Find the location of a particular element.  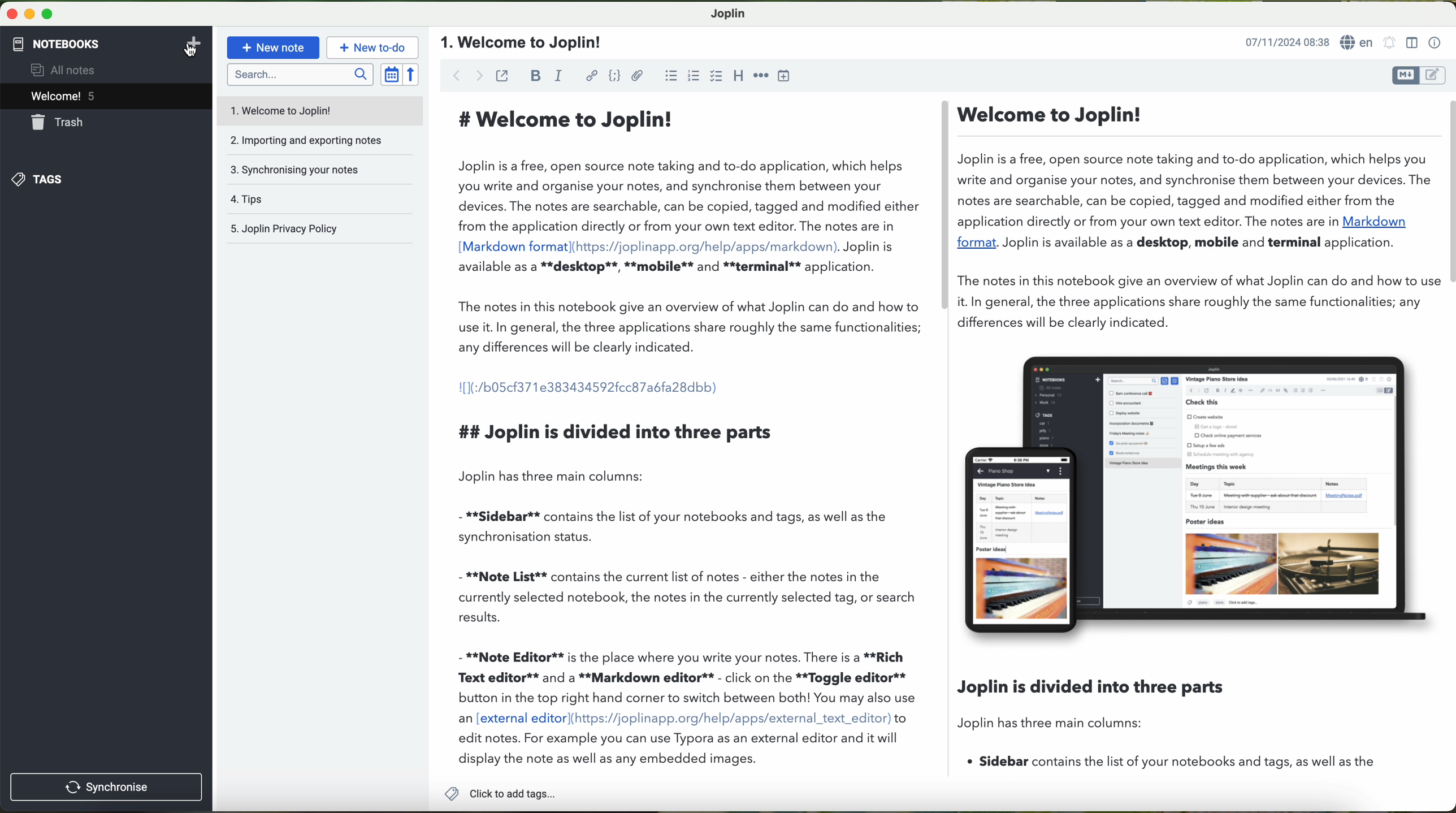

numbered list is located at coordinates (694, 75).